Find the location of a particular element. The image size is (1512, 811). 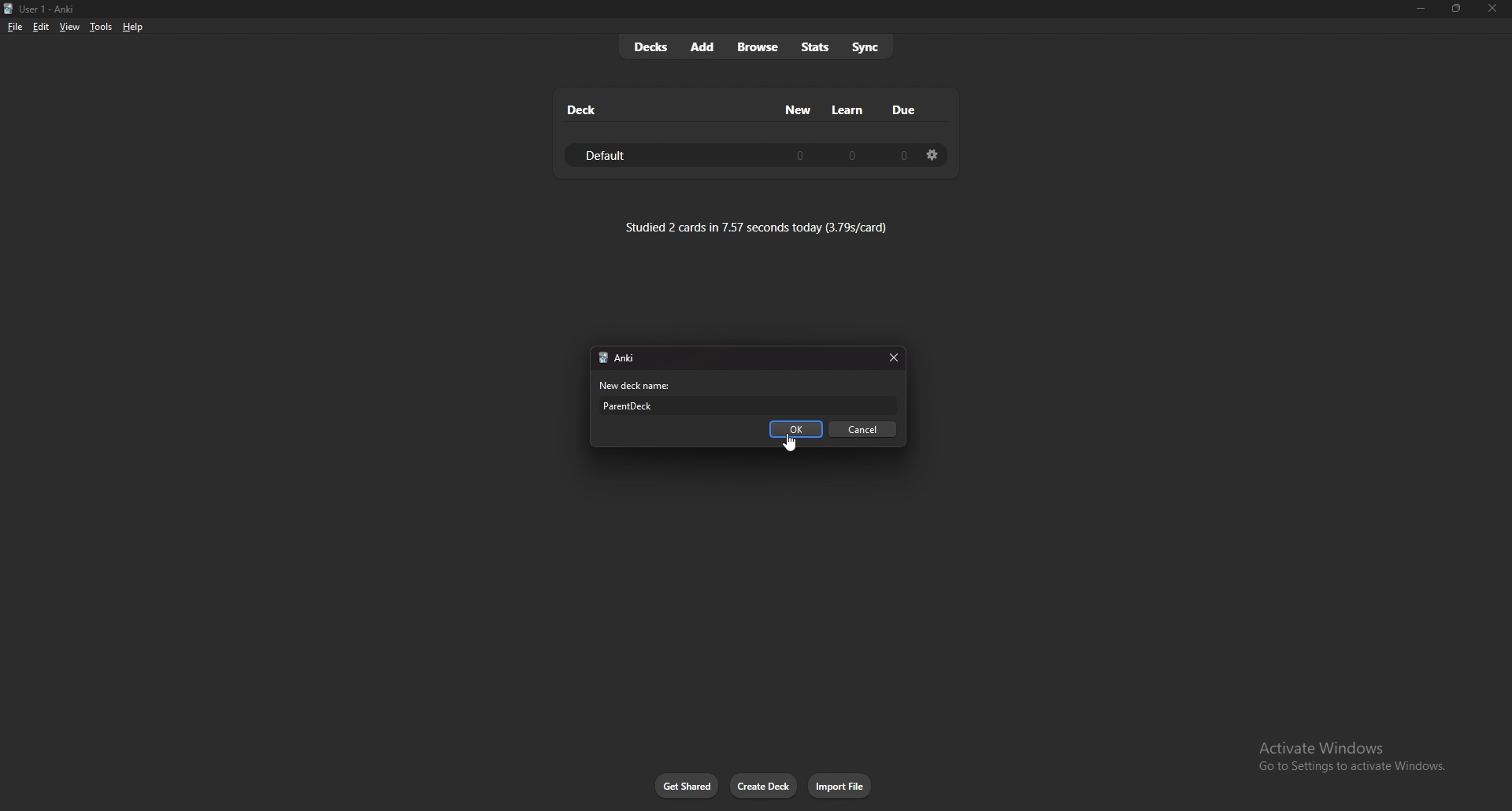

0 is located at coordinates (800, 154).